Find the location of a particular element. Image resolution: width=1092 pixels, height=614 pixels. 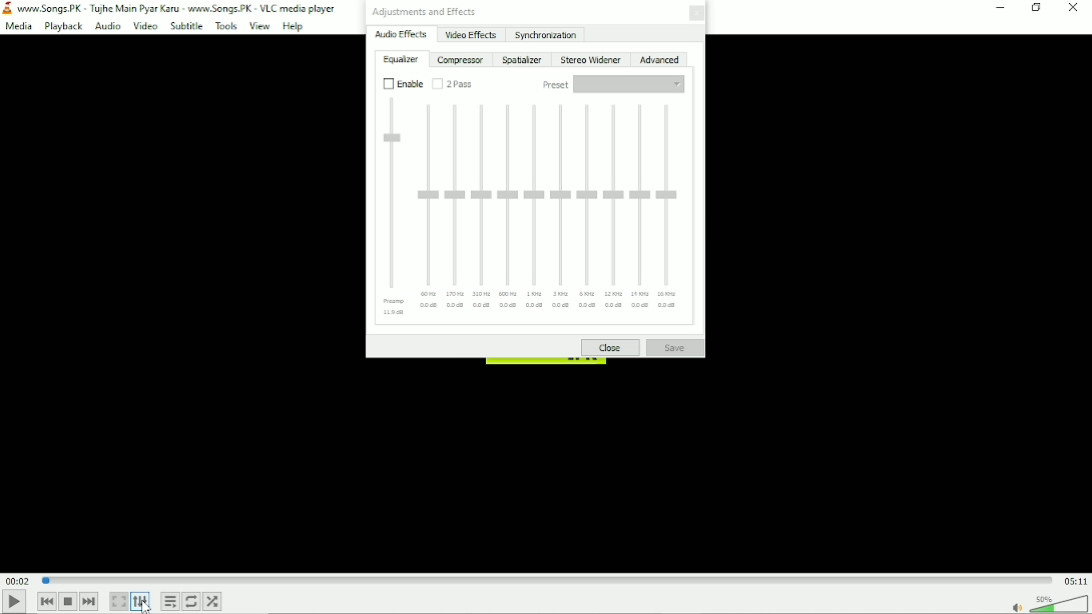

Total duration is located at coordinates (1076, 581).